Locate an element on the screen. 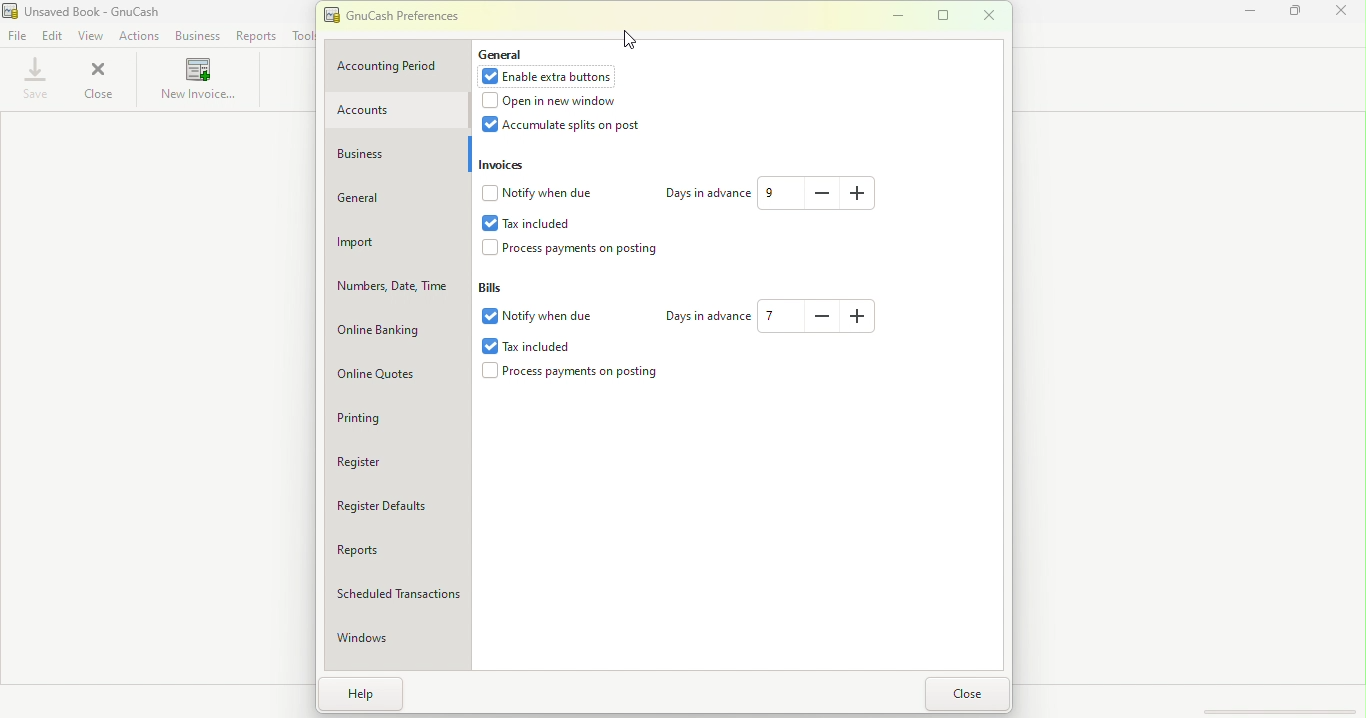 This screenshot has width=1366, height=718. Windows is located at coordinates (394, 637).